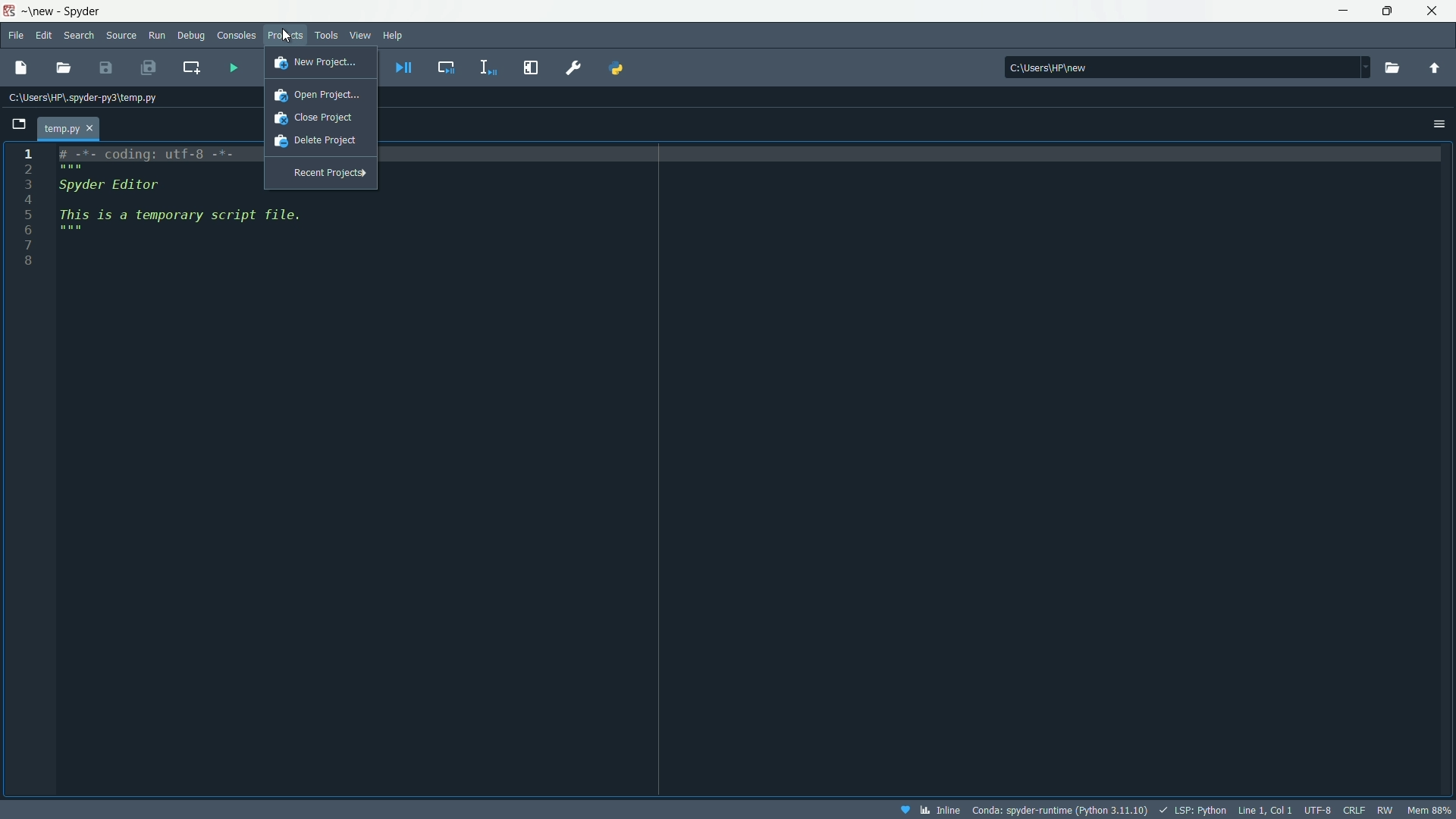  What do you see at coordinates (1433, 13) in the screenshot?
I see `Close` at bounding box center [1433, 13].